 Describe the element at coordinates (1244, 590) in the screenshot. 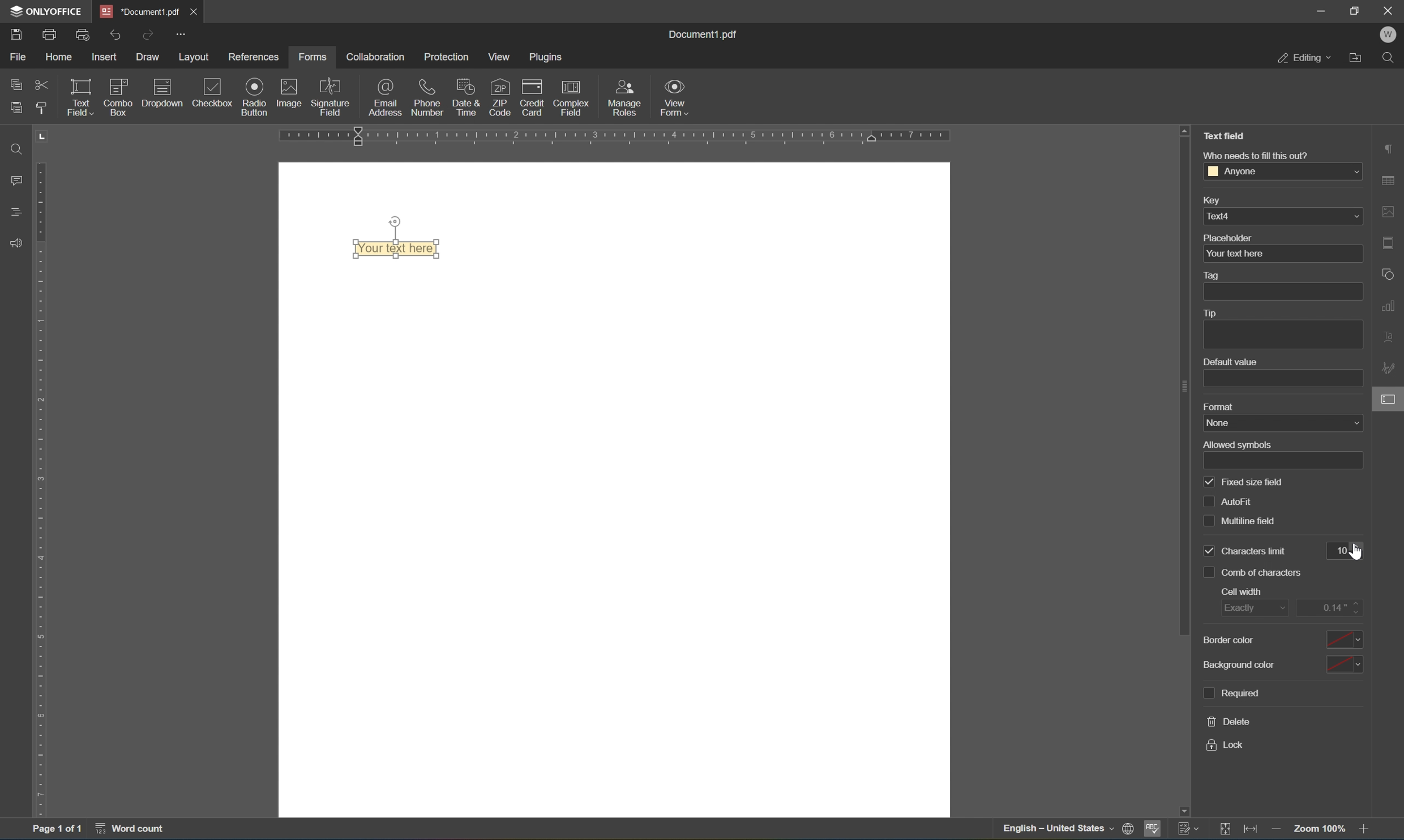

I see `cell width` at that location.